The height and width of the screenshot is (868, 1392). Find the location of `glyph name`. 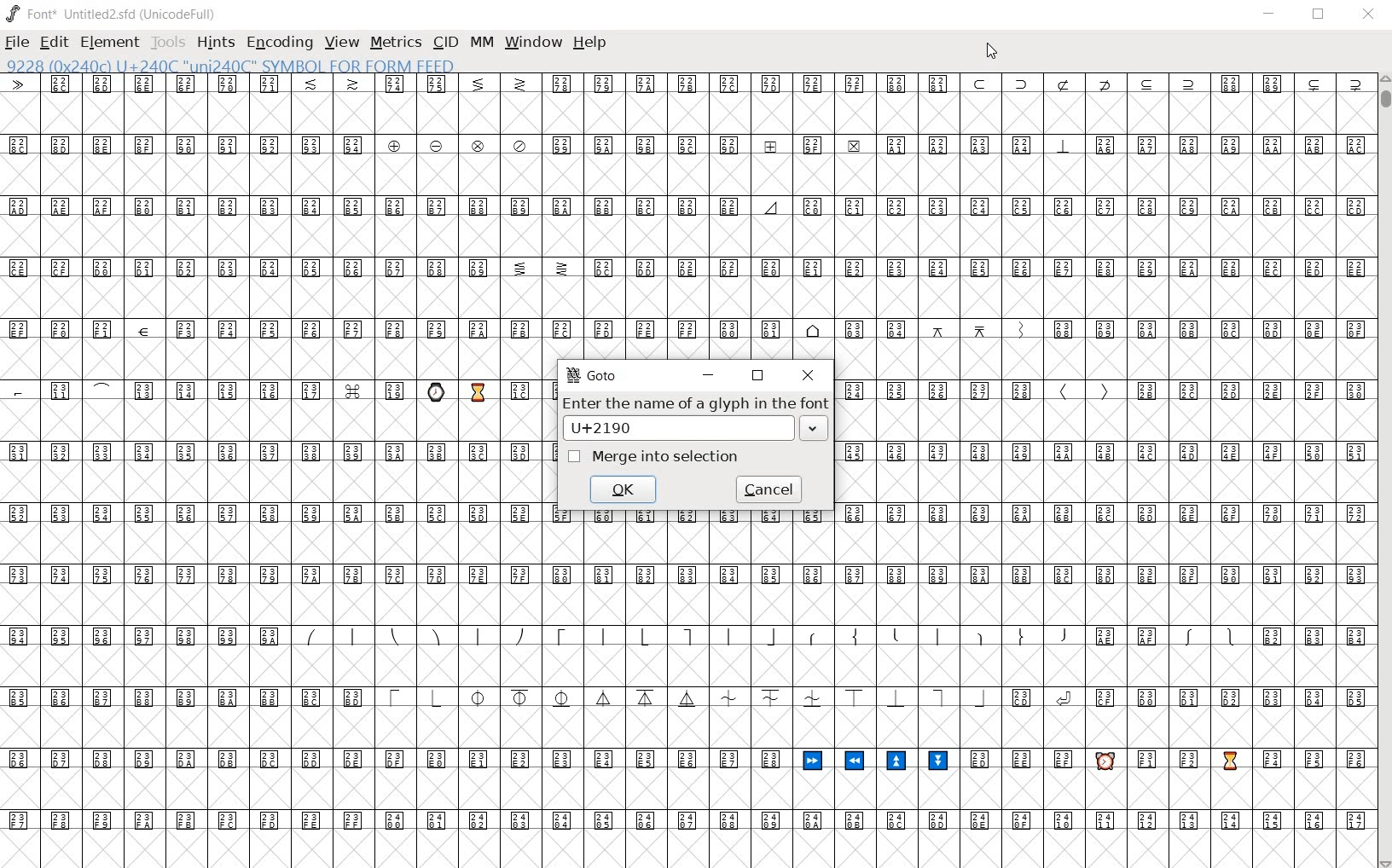

glyph name is located at coordinates (230, 65).